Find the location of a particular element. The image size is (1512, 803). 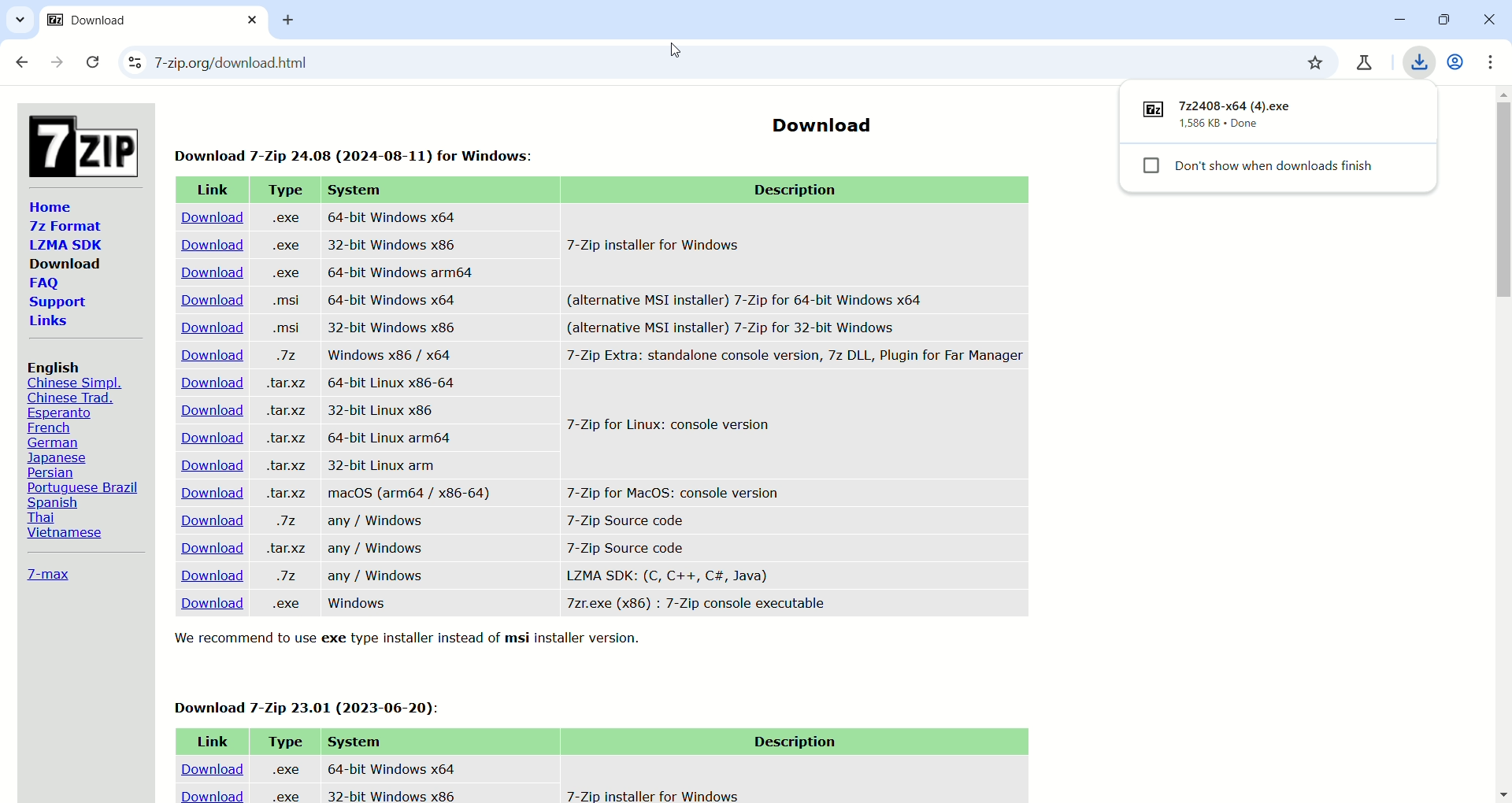

64-bit Windows x64 is located at coordinates (388, 765).